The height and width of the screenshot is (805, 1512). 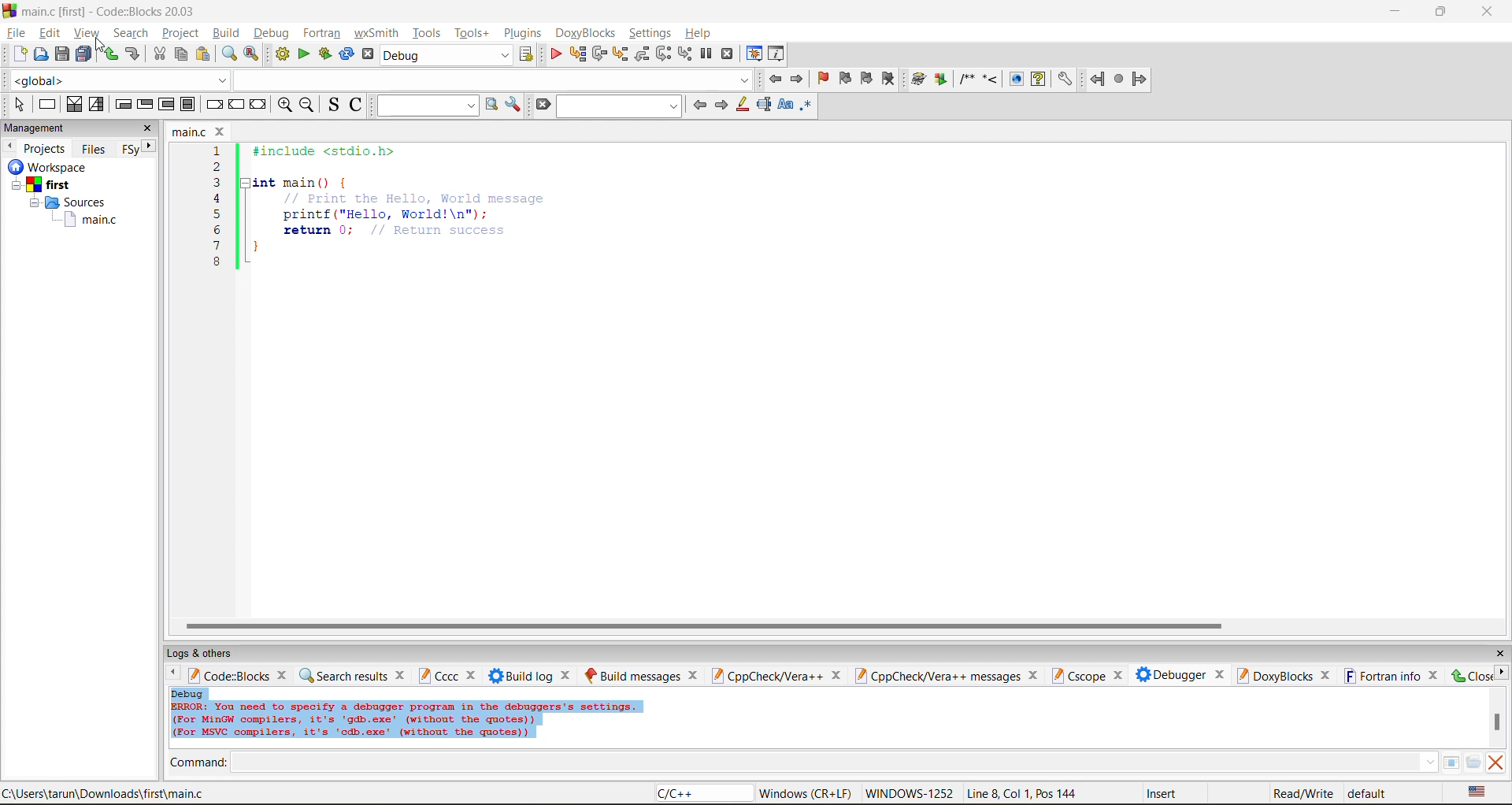 I want to click on clear bookmarks, so click(x=891, y=78).